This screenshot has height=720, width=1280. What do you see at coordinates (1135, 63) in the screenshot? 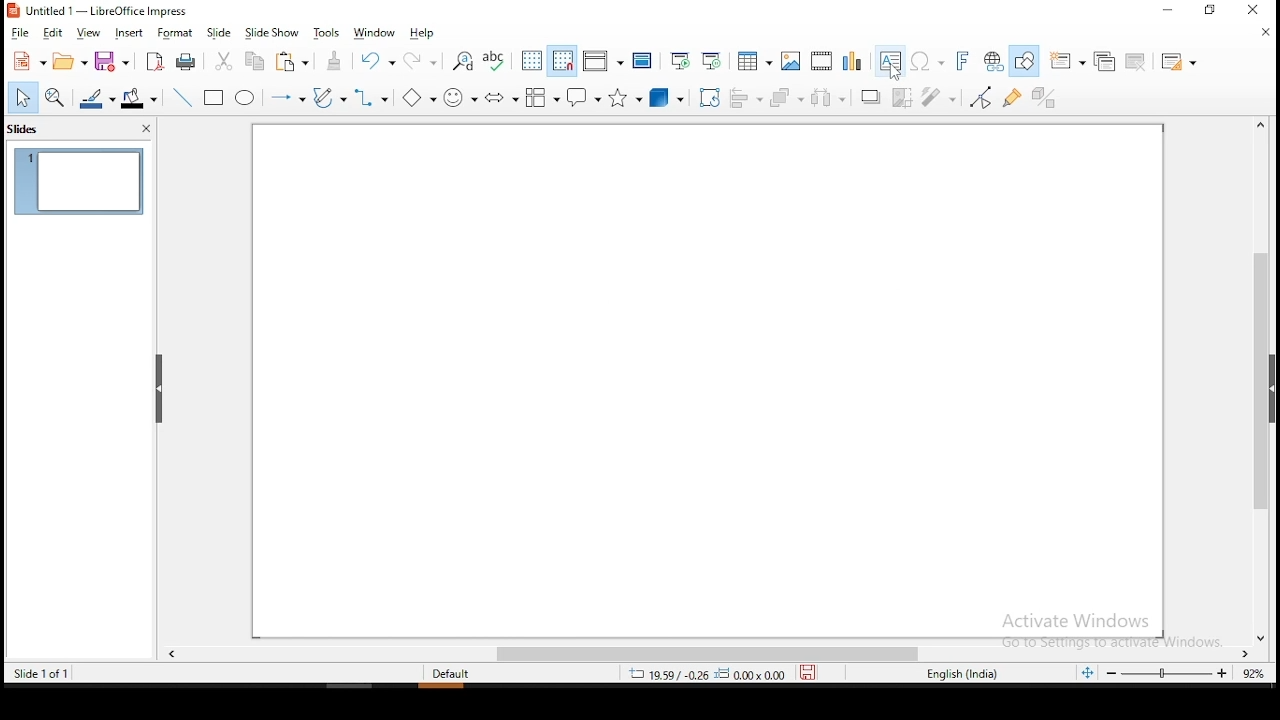
I see `delete slide` at bounding box center [1135, 63].